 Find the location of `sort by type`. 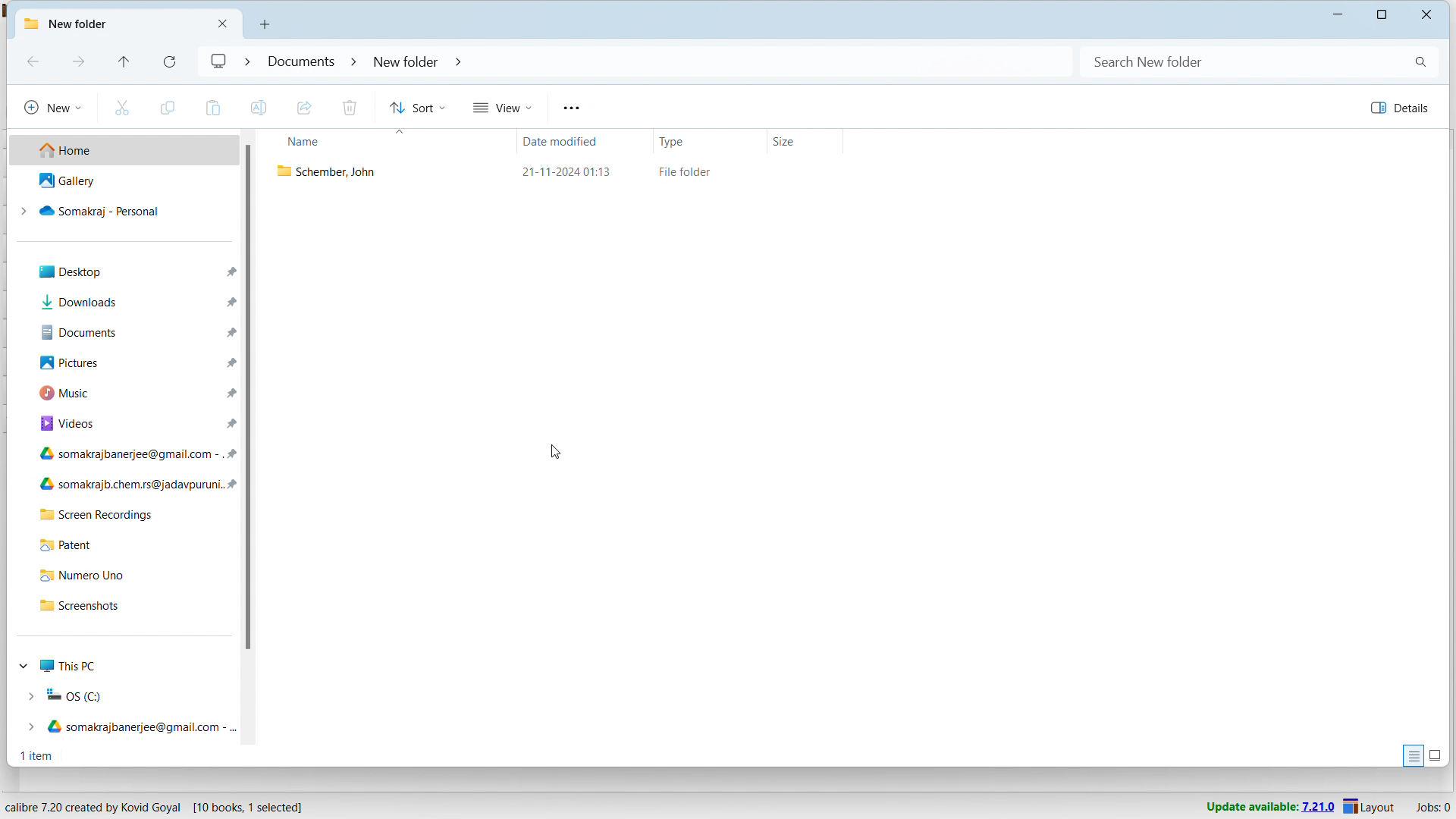

sort by type is located at coordinates (686, 142).